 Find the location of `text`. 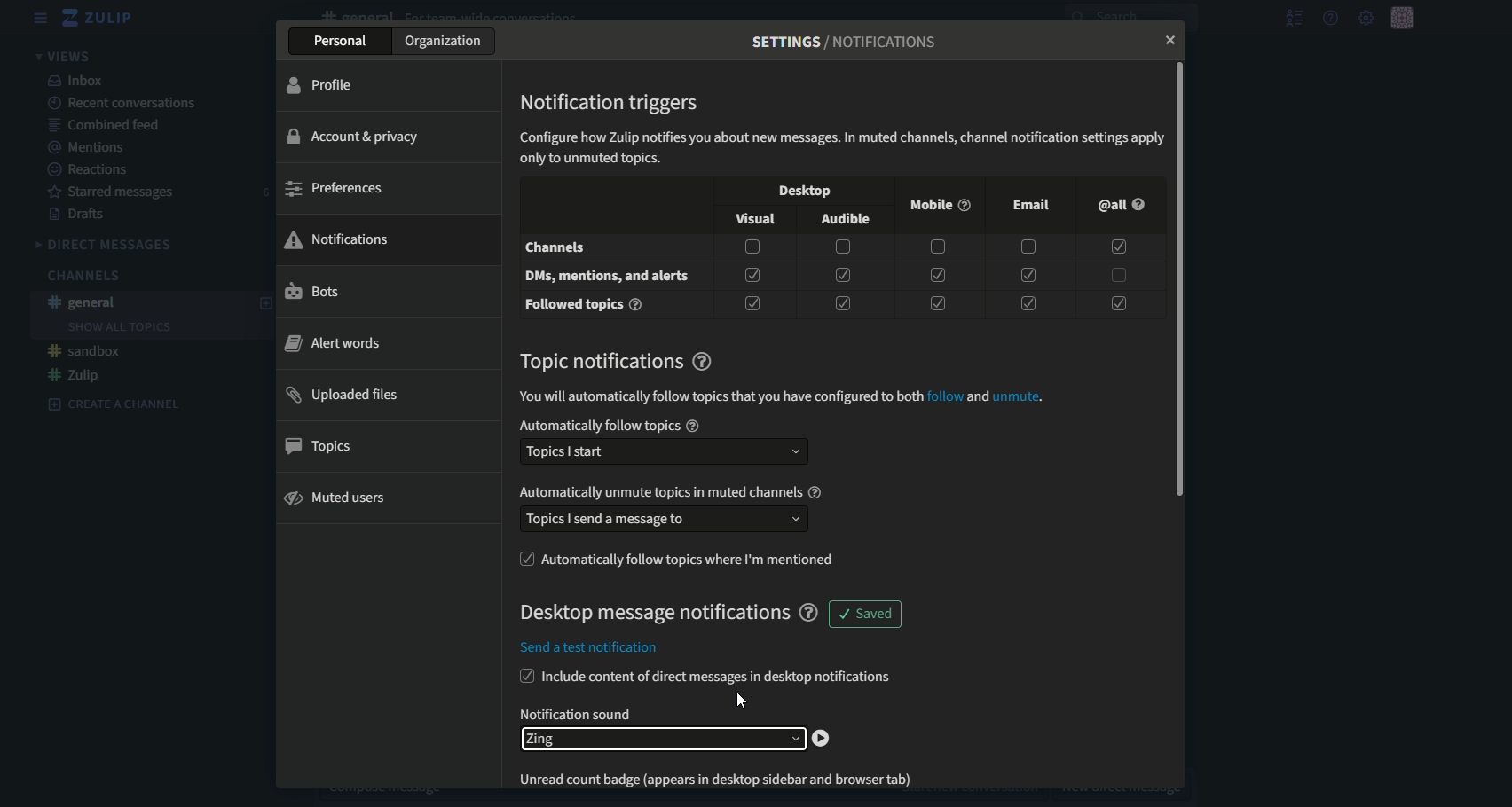

text is located at coordinates (728, 776).